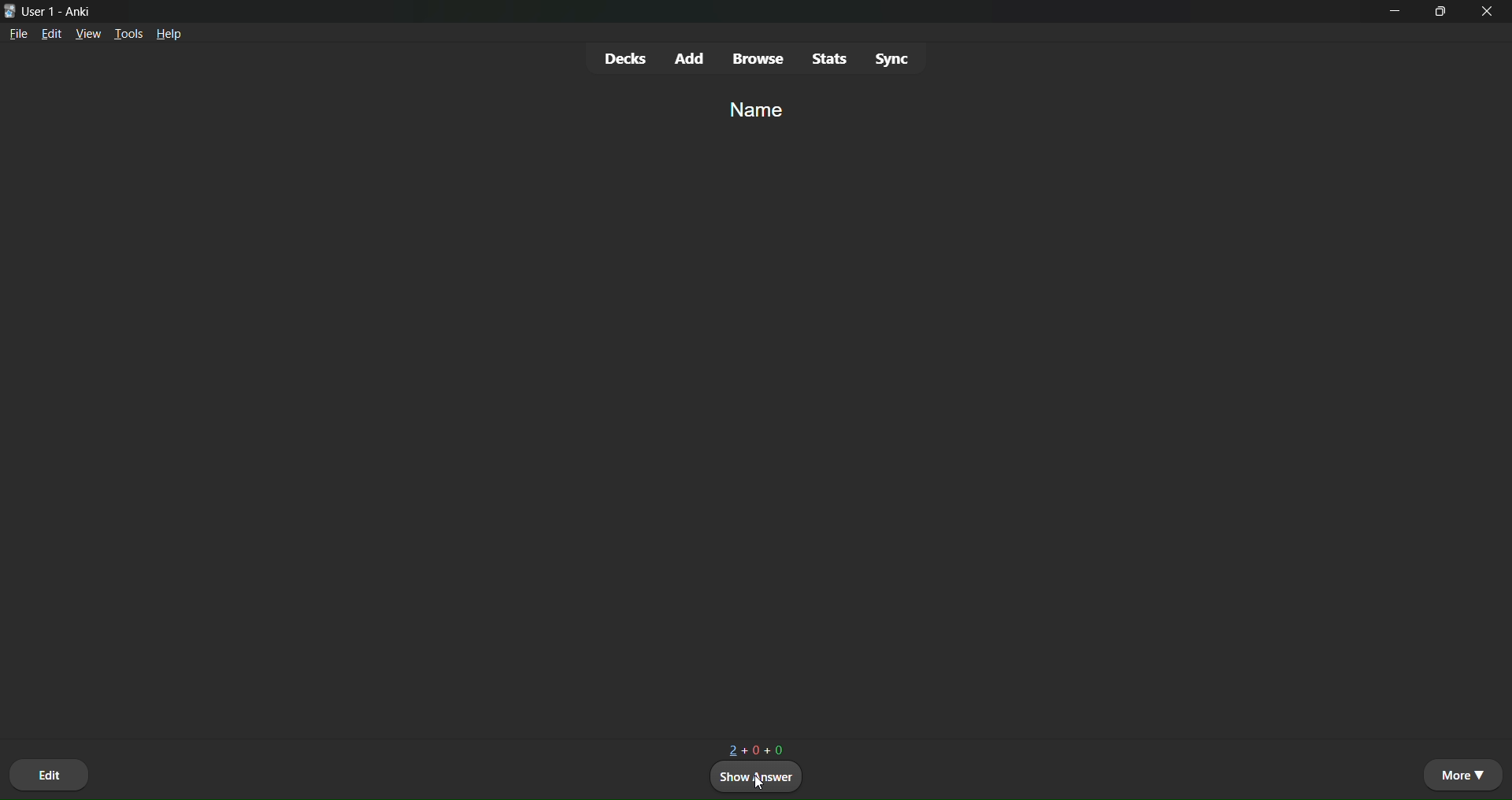 Image resolution: width=1512 pixels, height=800 pixels. What do you see at coordinates (1397, 17) in the screenshot?
I see `minimize` at bounding box center [1397, 17].